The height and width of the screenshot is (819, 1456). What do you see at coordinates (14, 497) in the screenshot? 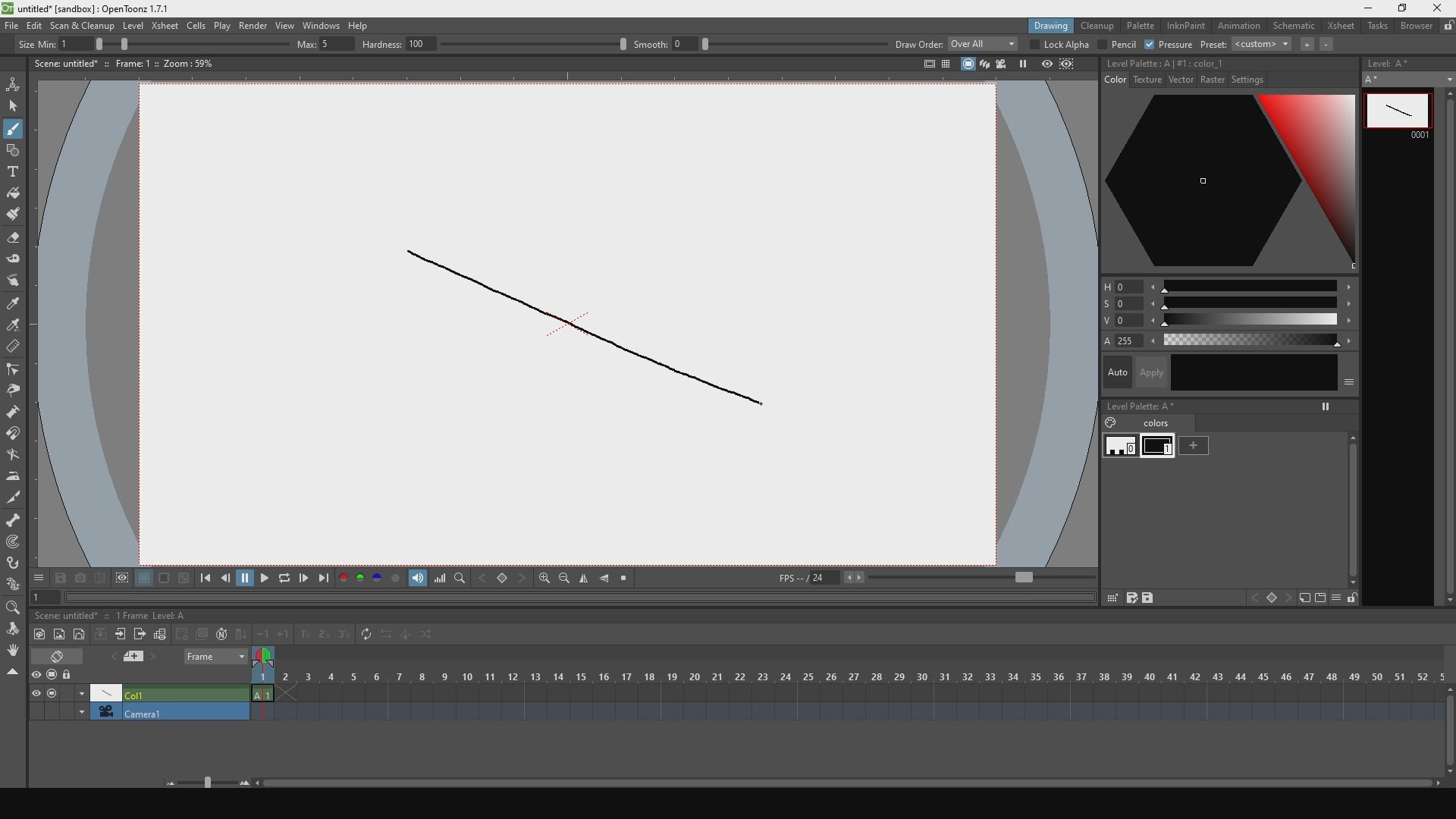
I see `cut` at bounding box center [14, 497].